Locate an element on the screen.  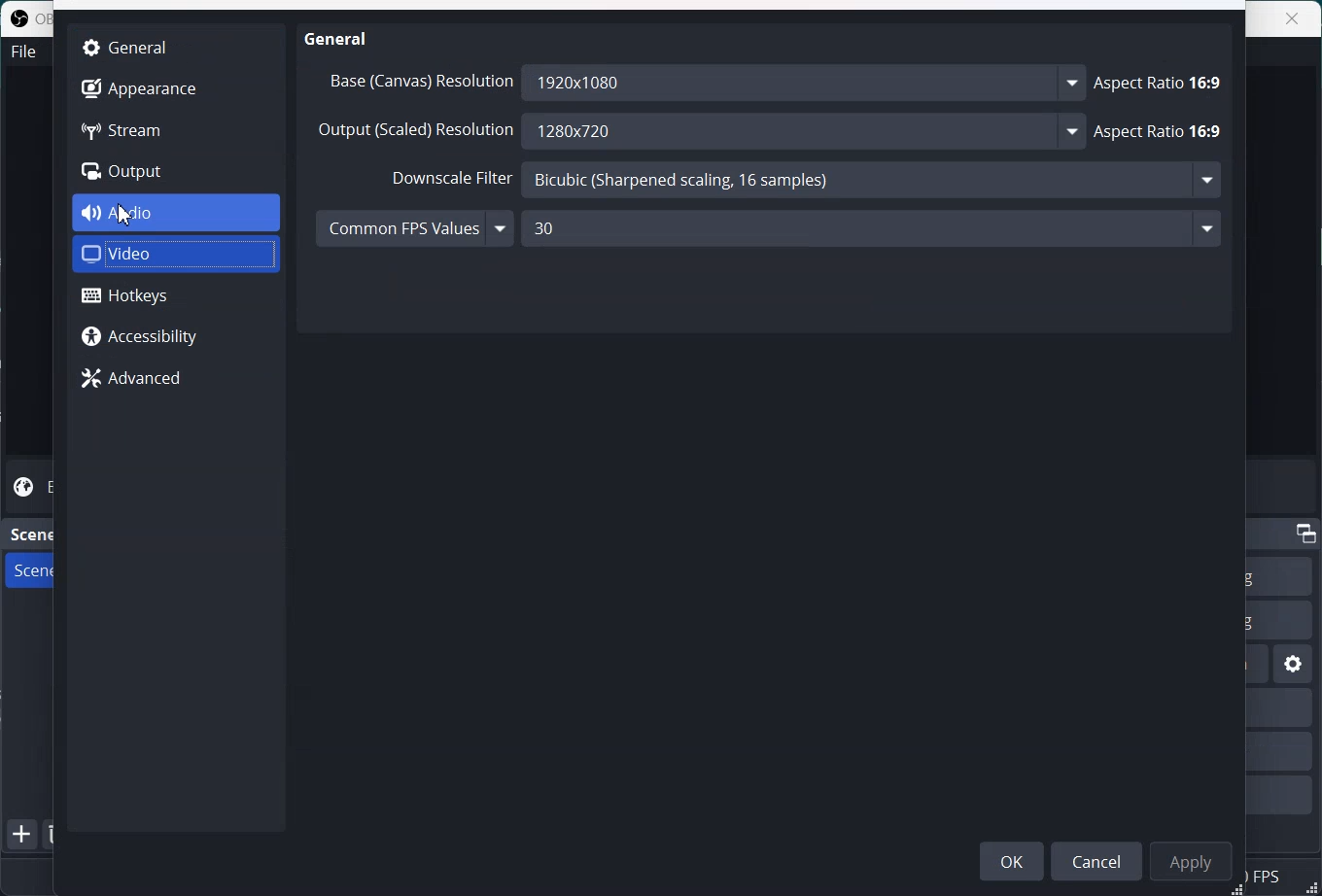
Common FPS Values is located at coordinates (417, 227).